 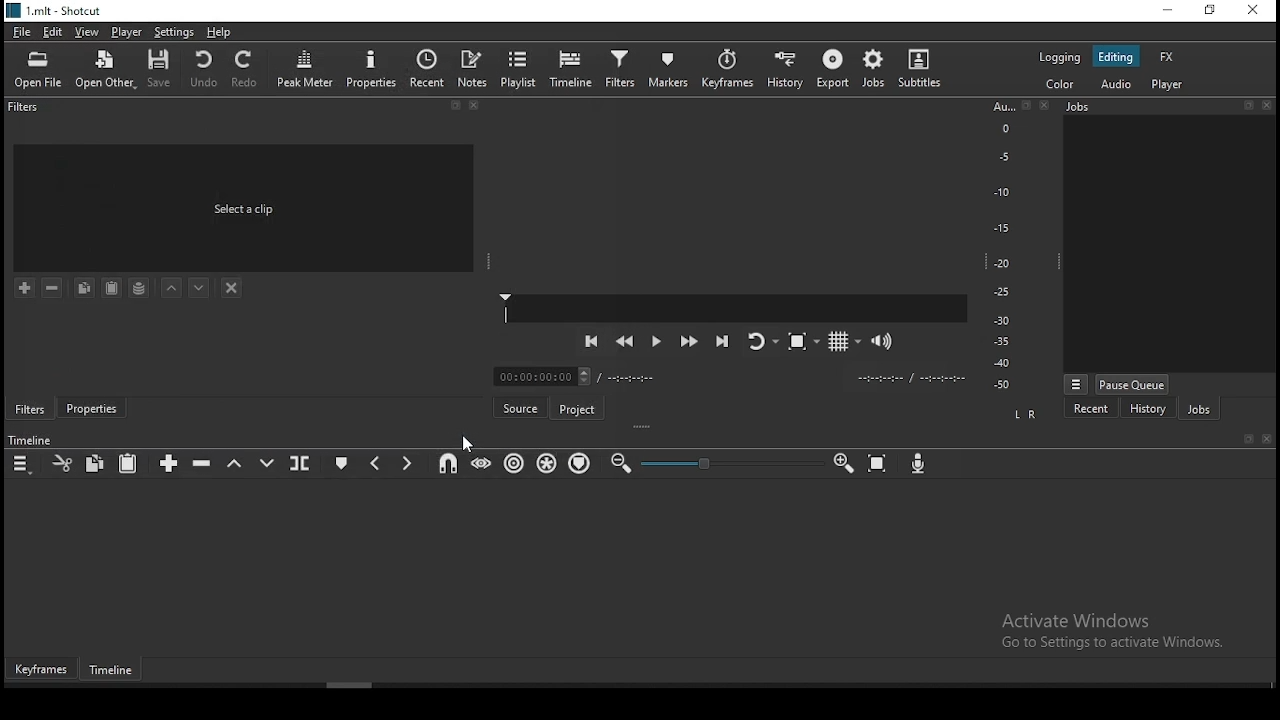 I want to click on ripple markers, so click(x=579, y=464).